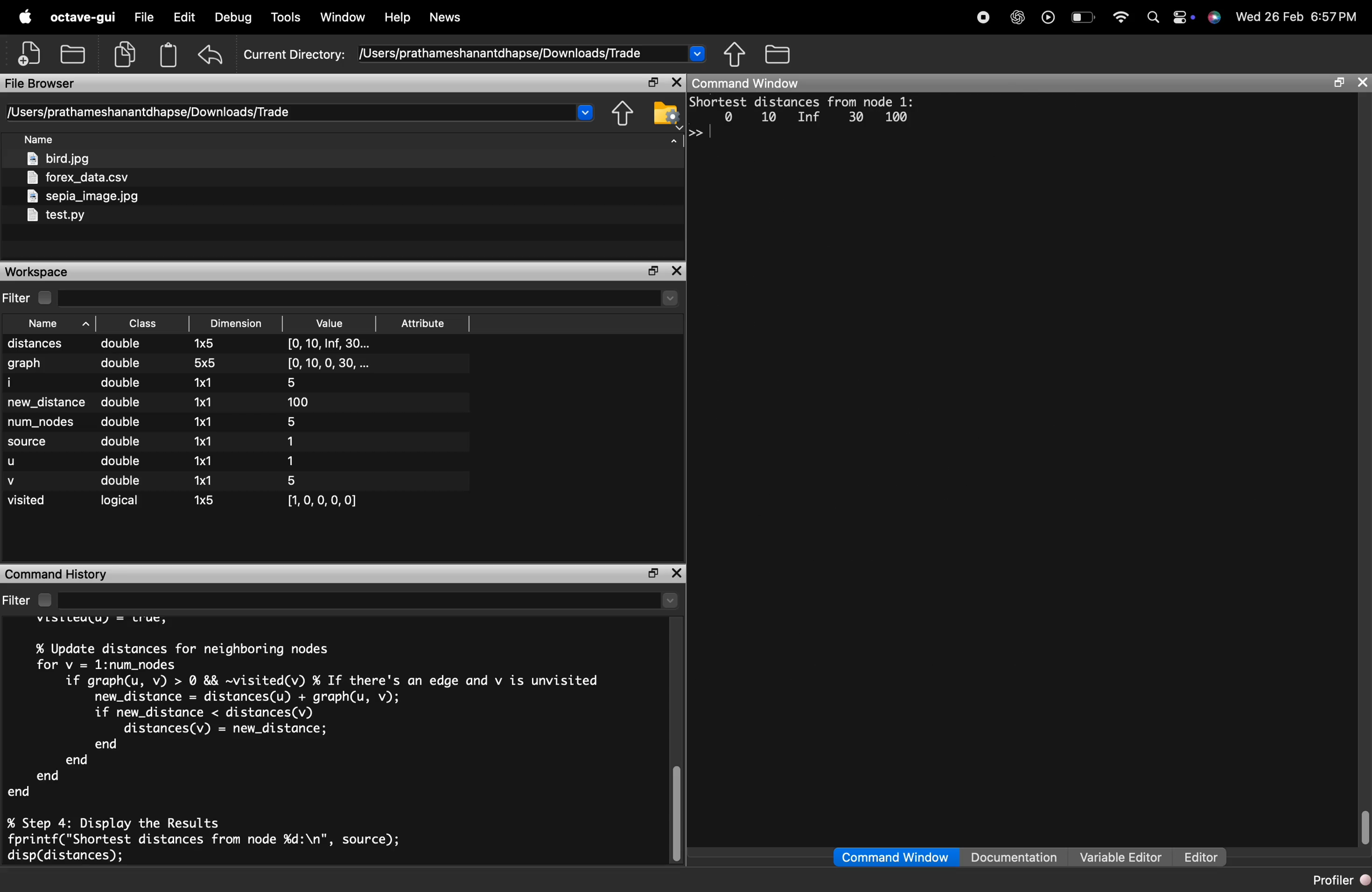  Describe the element at coordinates (59, 575) in the screenshot. I see `command history` at that location.